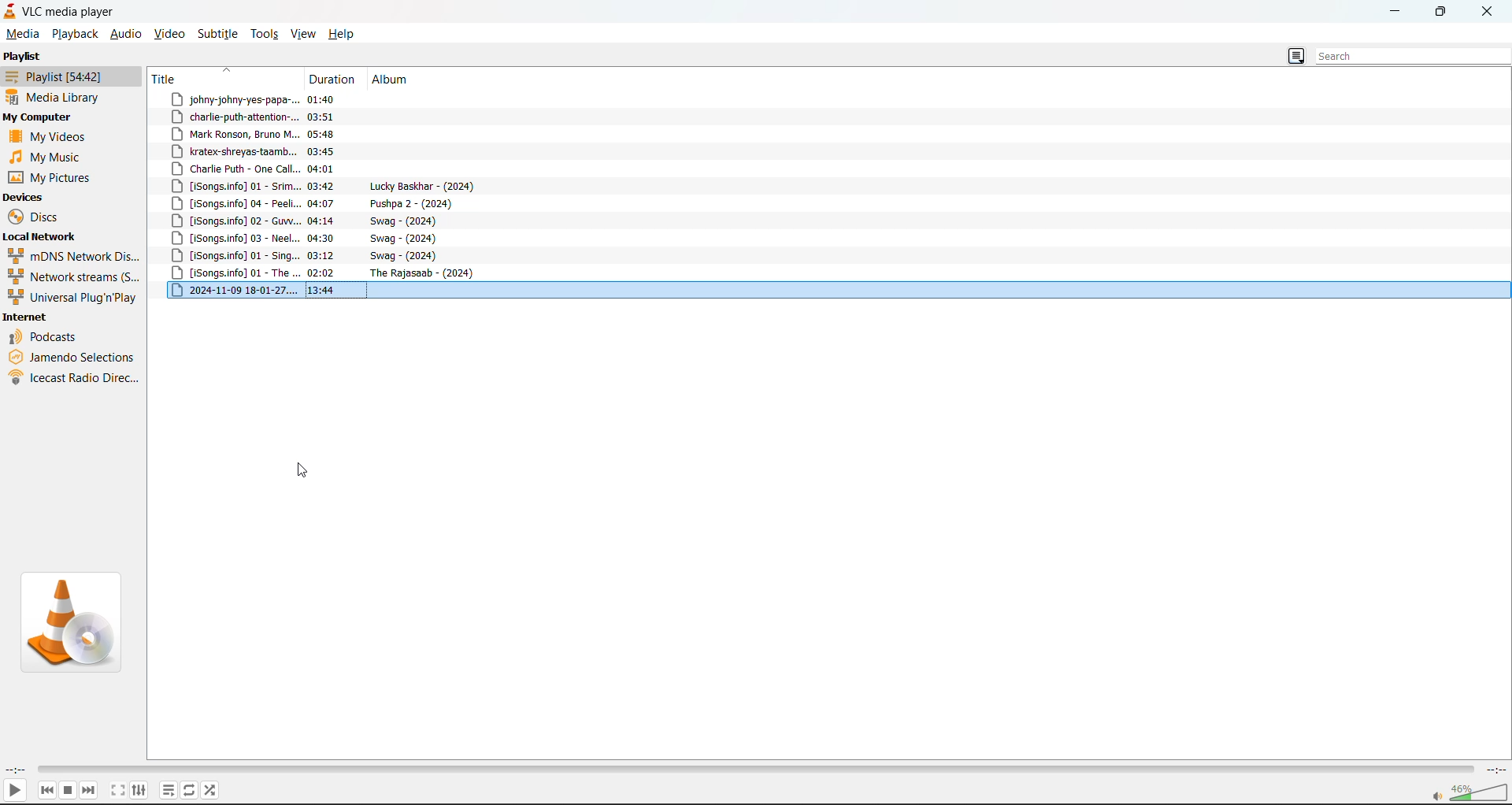  I want to click on loop, so click(187, 790).